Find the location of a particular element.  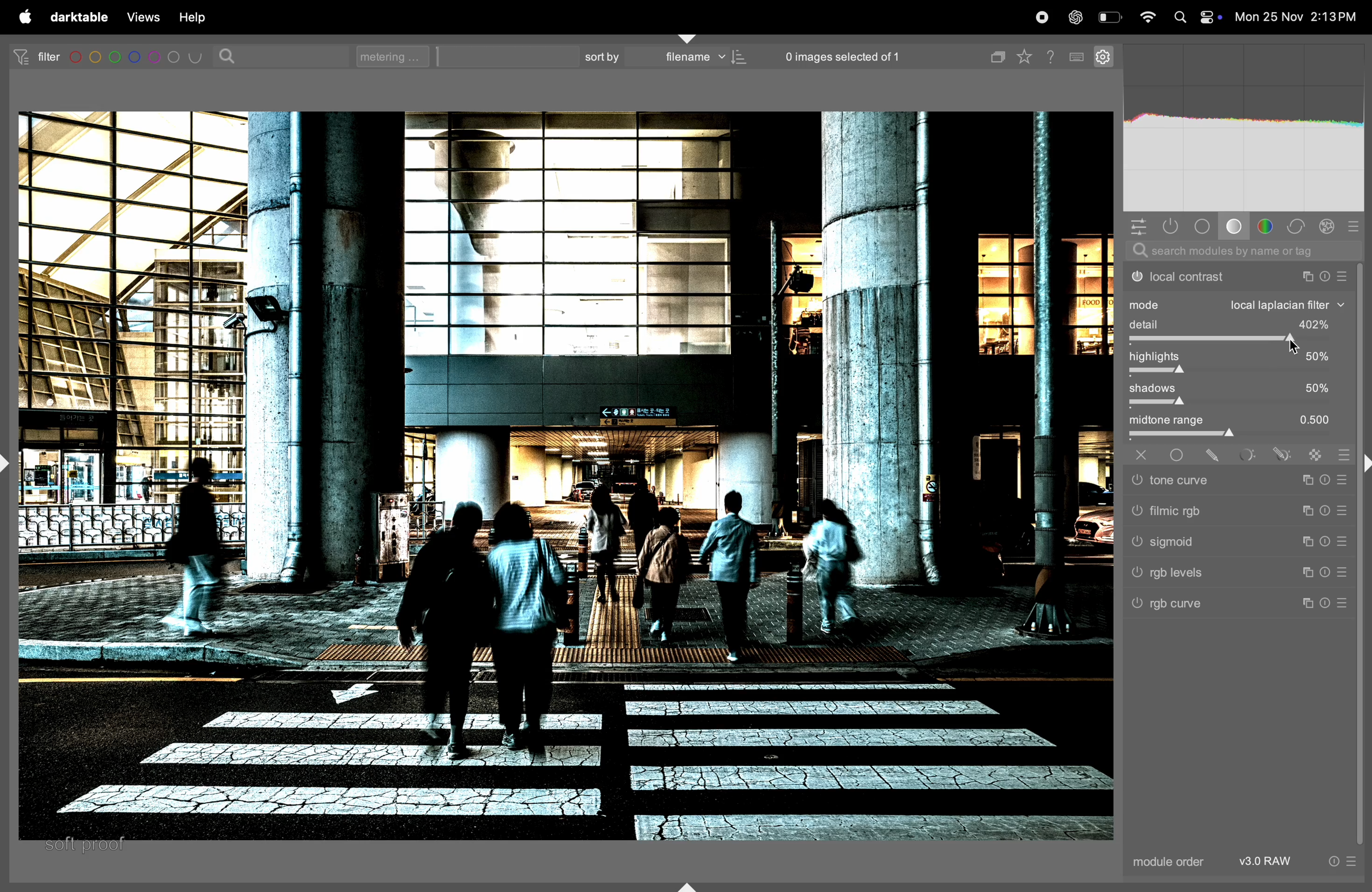

effect is located at coordinates (1327, 225).